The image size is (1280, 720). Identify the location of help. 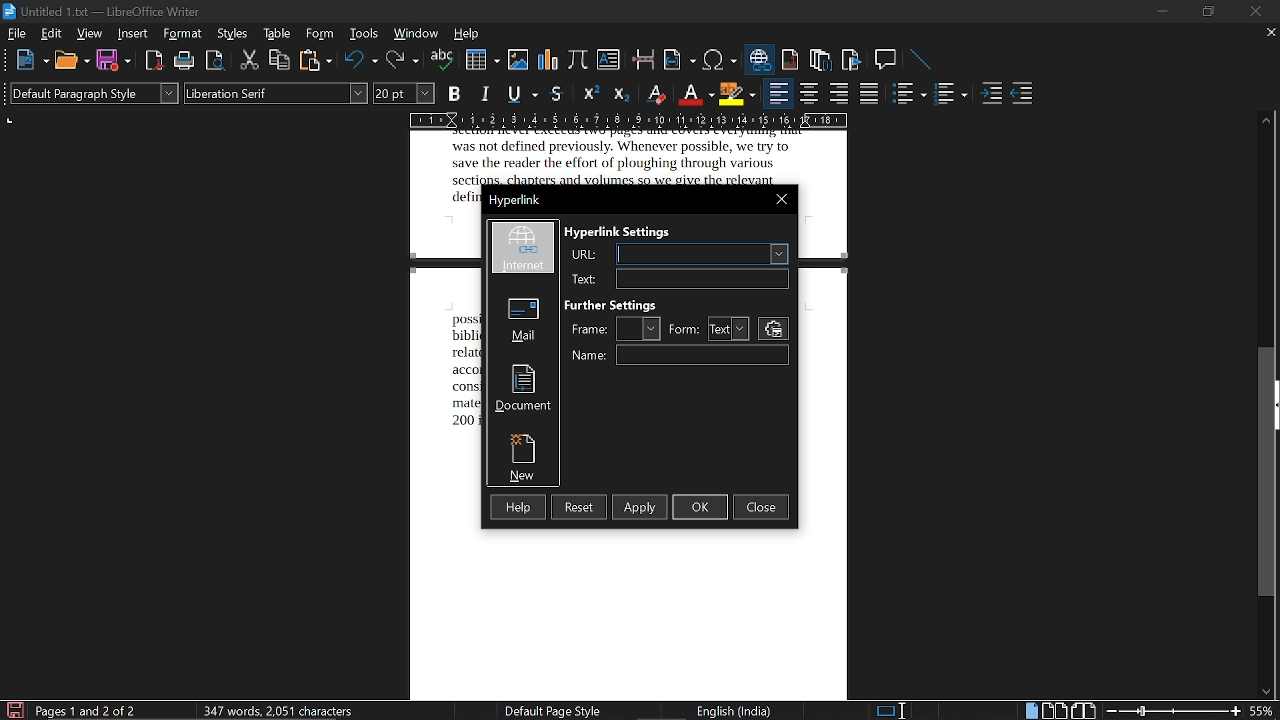
(518, 507).